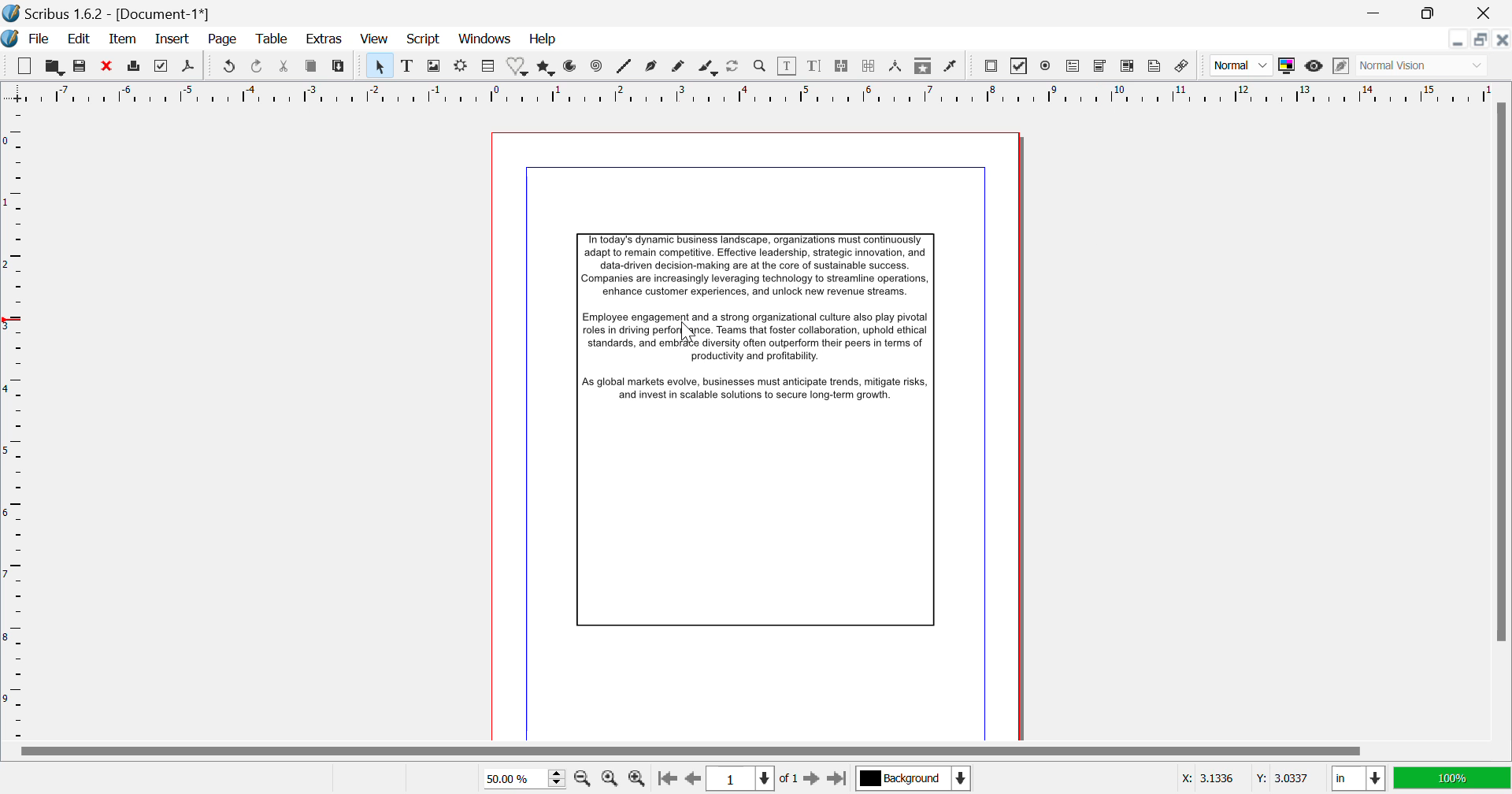  Describe the element at coordinates (694, 779) in the screenshot. I see `Previous Page` at that location.